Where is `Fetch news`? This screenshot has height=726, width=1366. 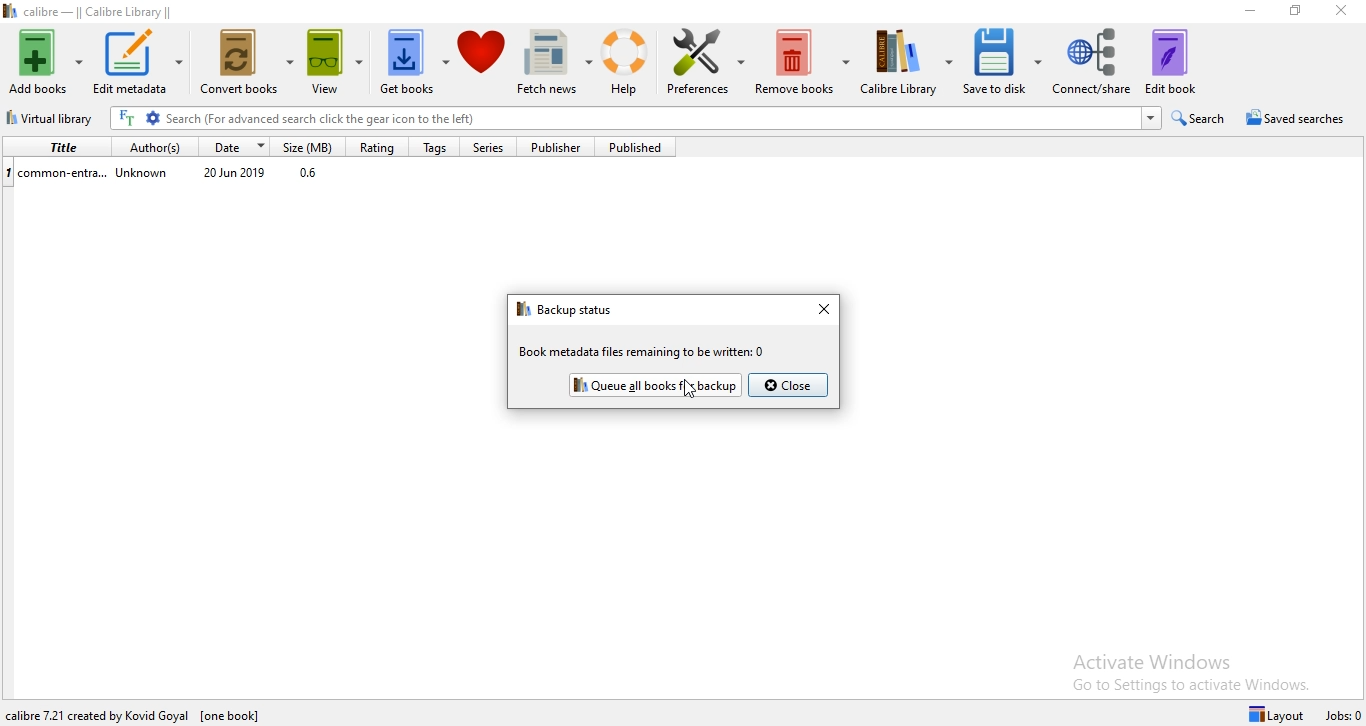 Fetch news is located at coordinates (557, 64).